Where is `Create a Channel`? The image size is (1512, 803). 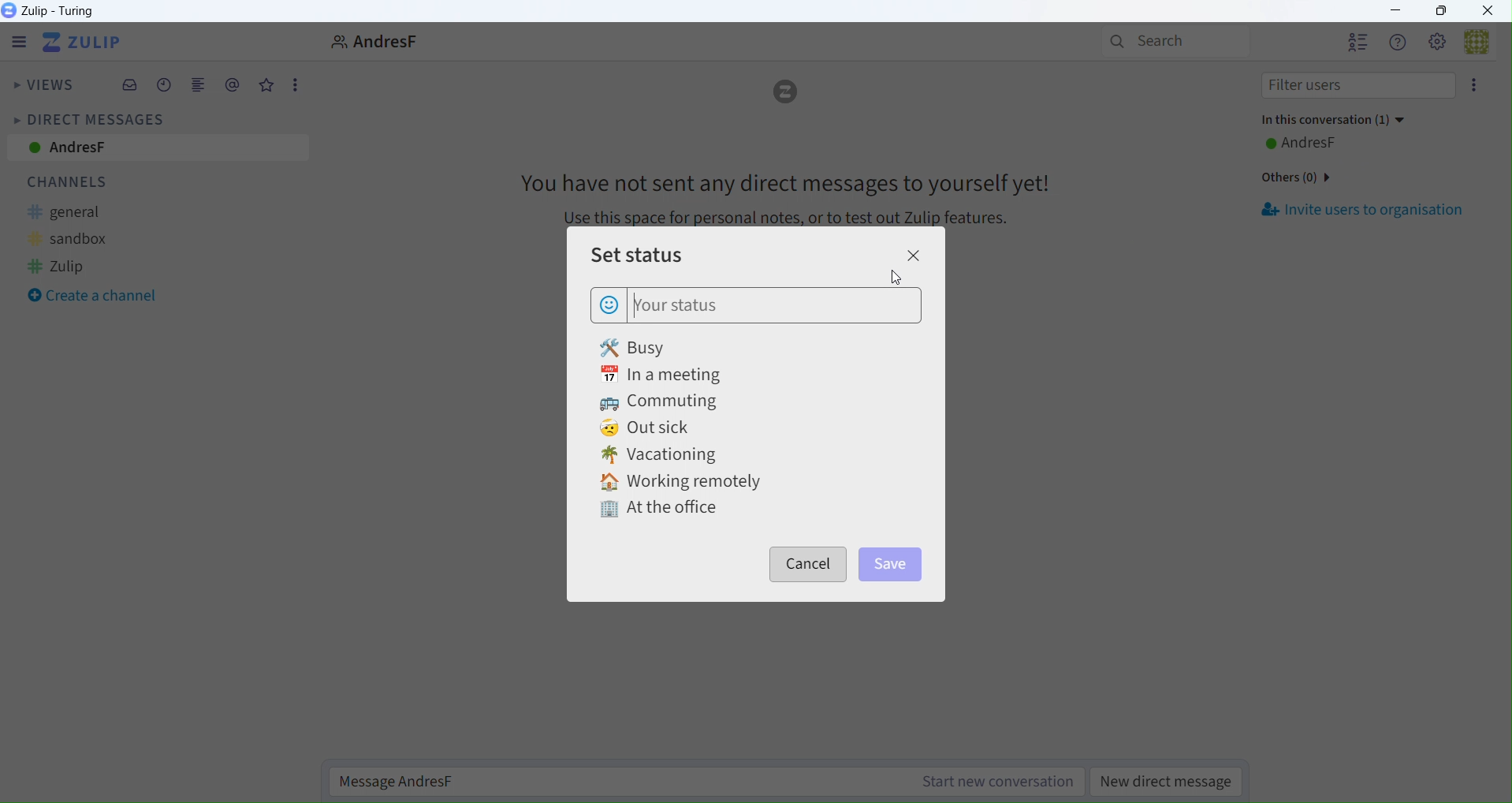
Create a Channel is located at coordinates (93, 297).